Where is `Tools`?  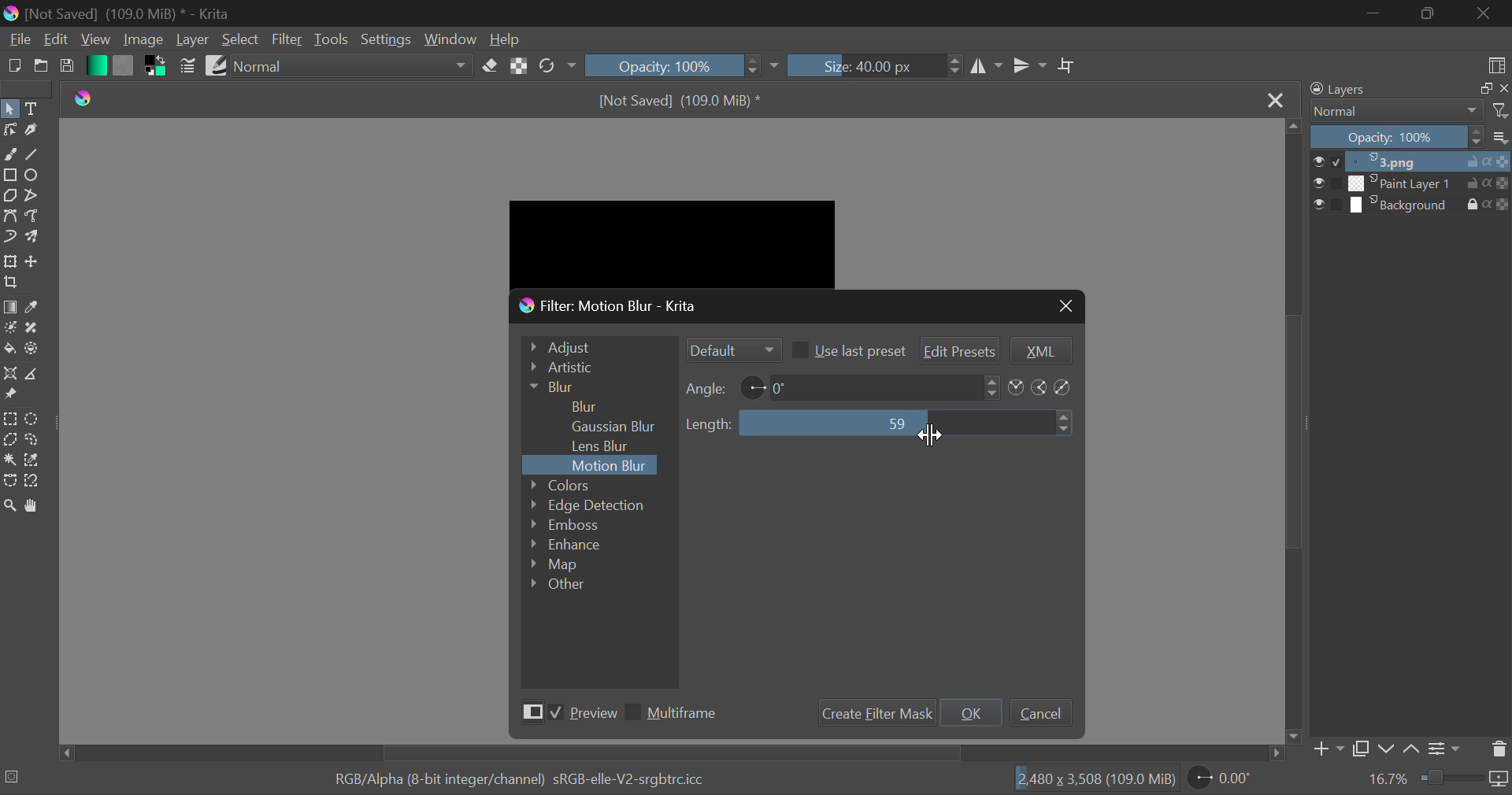 Tools is located at coordinates (331, 40).